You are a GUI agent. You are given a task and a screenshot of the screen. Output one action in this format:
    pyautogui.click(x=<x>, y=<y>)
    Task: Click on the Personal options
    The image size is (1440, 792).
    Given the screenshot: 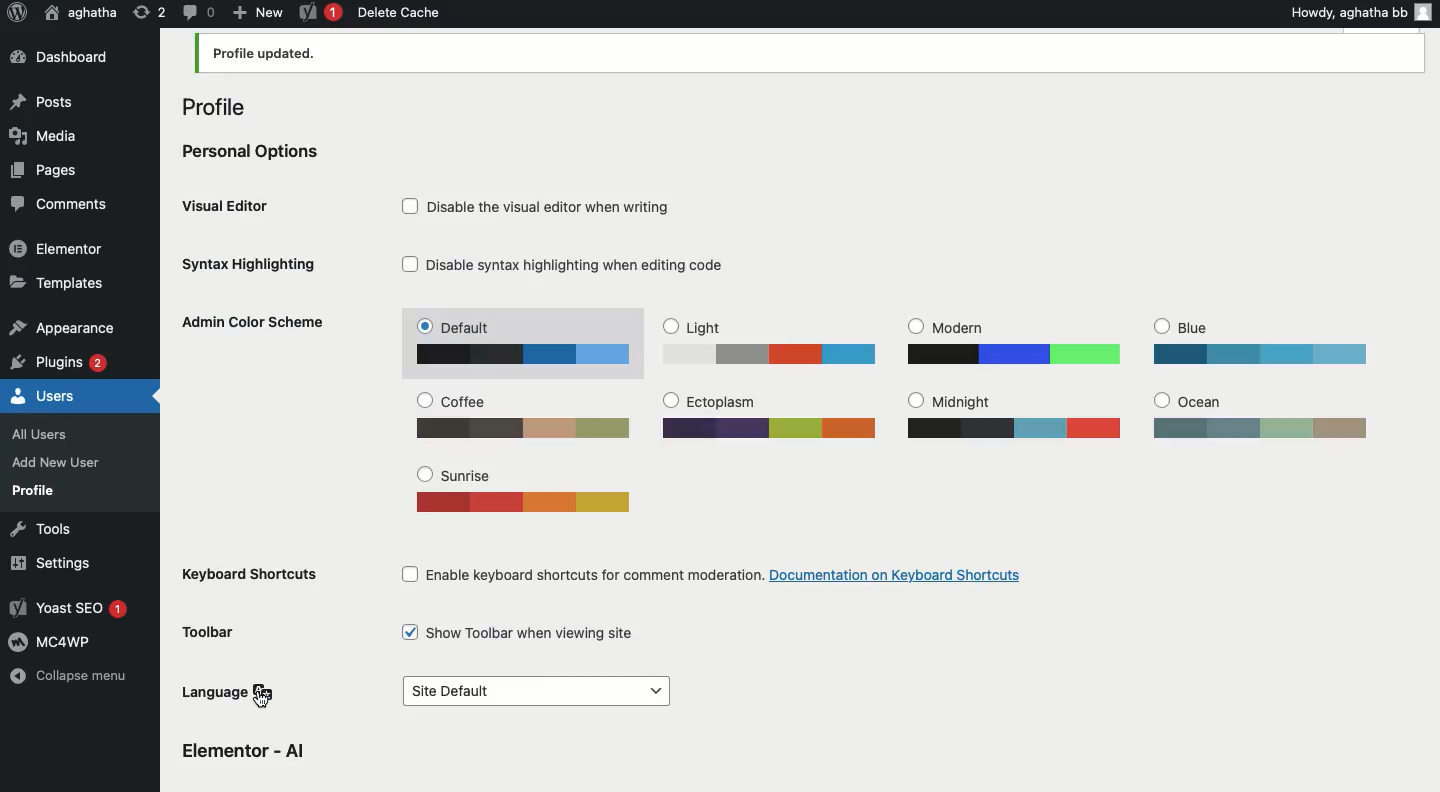 What is the action you would take?
    pyautogui.click(x=254, y=149)
    